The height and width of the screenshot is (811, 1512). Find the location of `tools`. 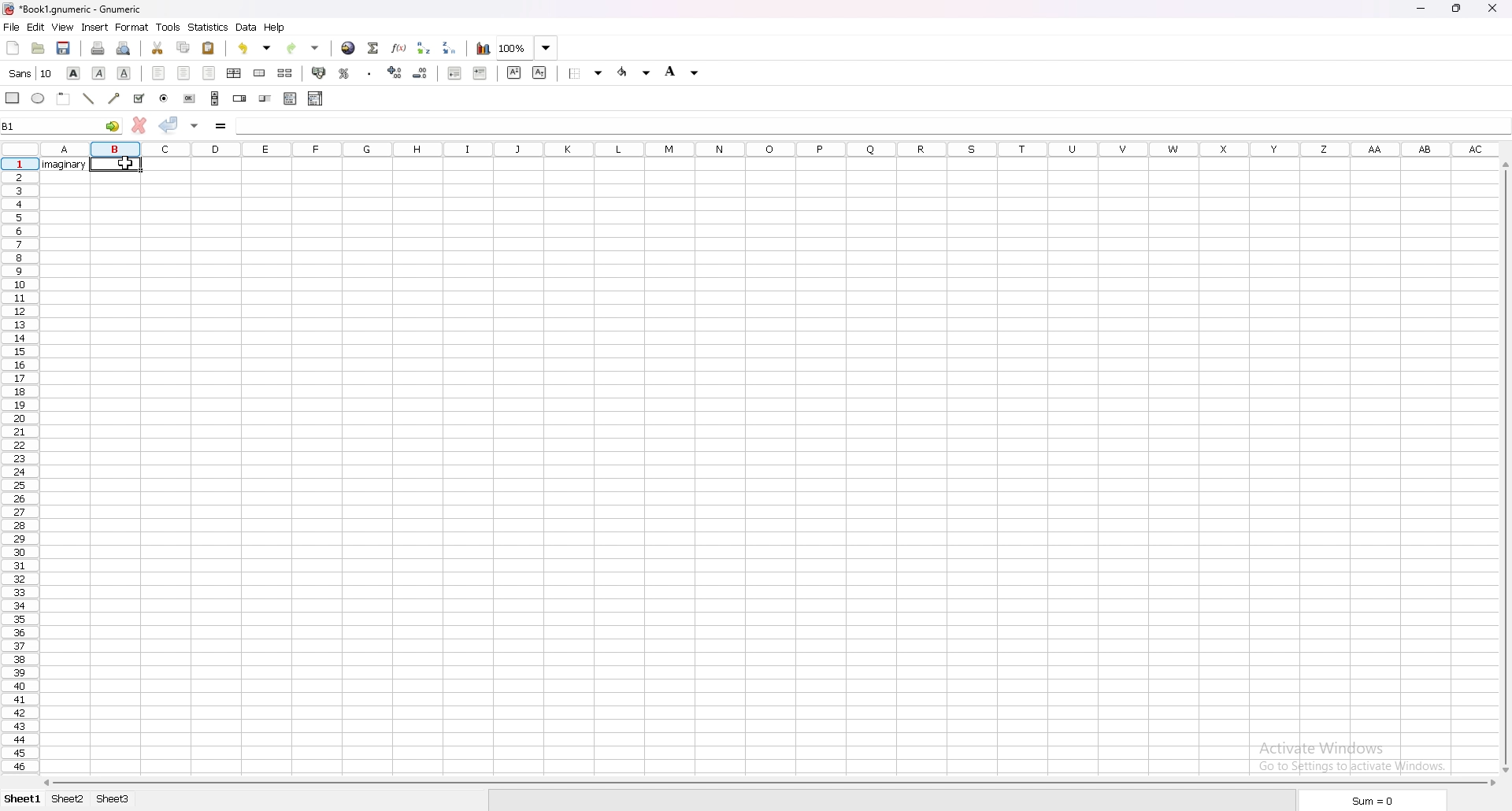

tools is located at coordinates (169, 27).